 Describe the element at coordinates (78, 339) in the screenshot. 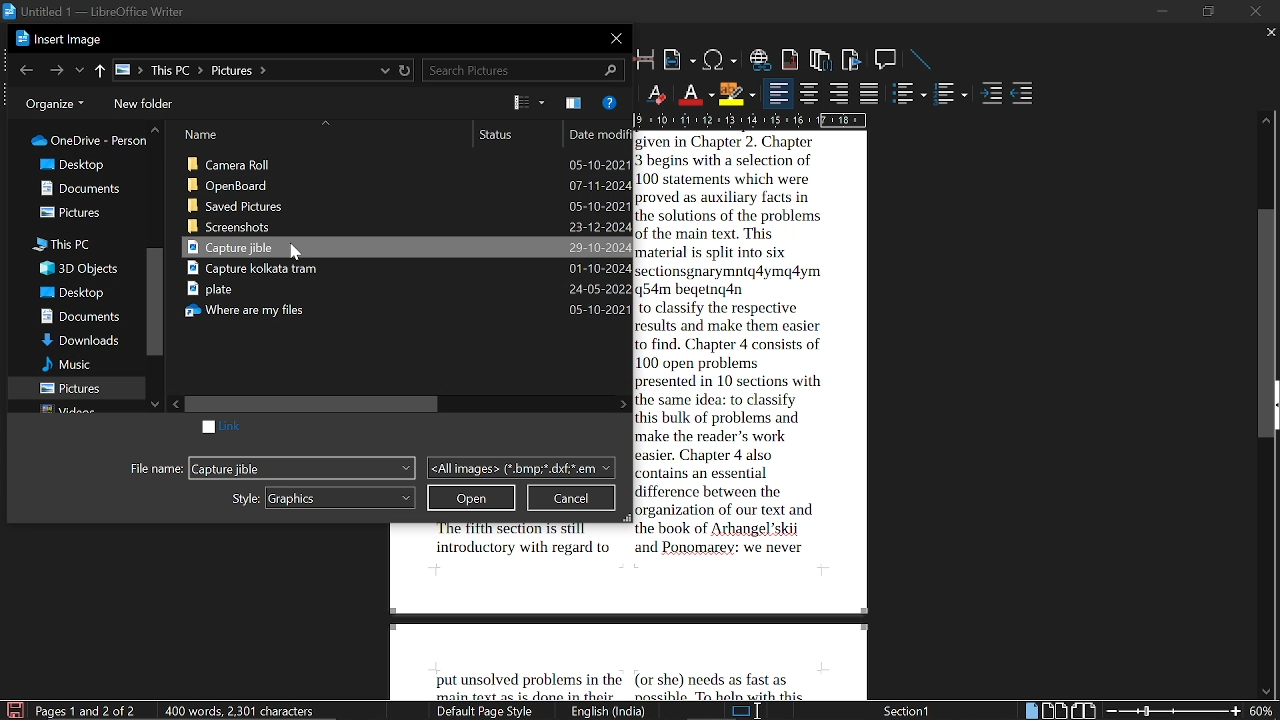

I see `downloads` at that location.